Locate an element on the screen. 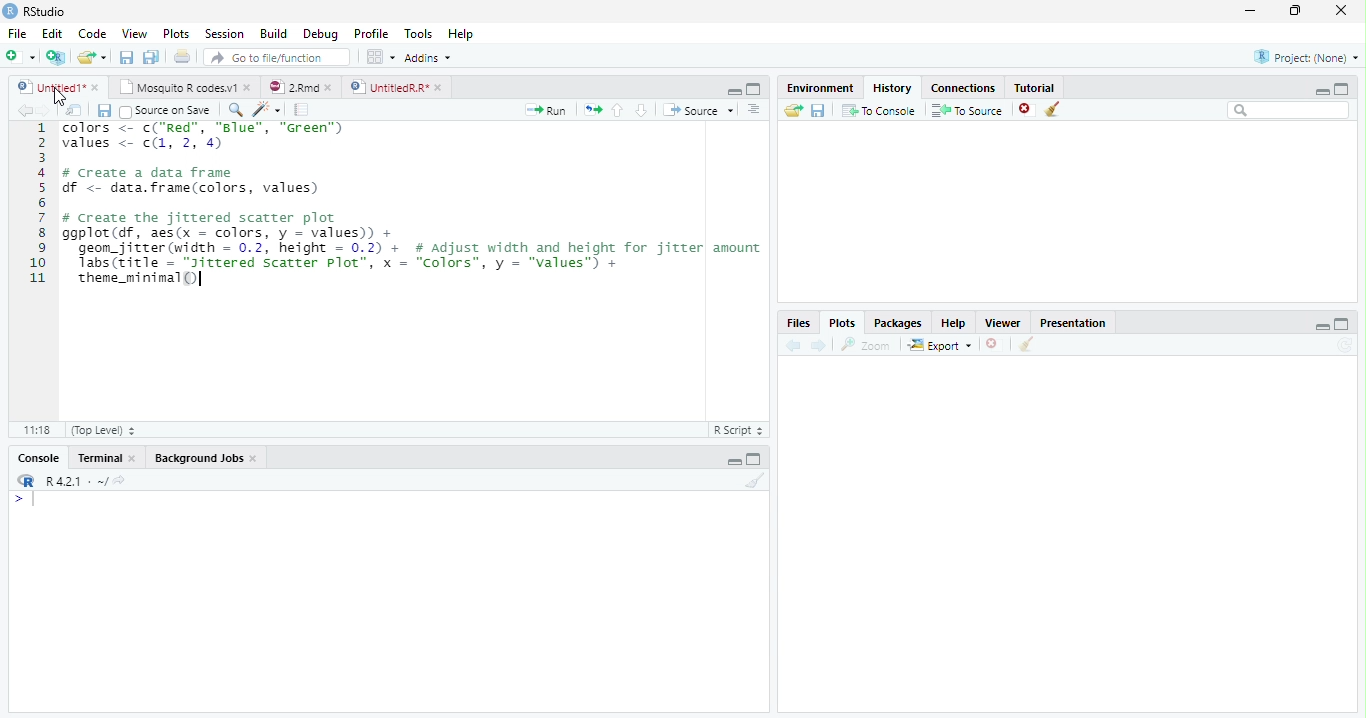  Debug is located at coordinates (320, 34).